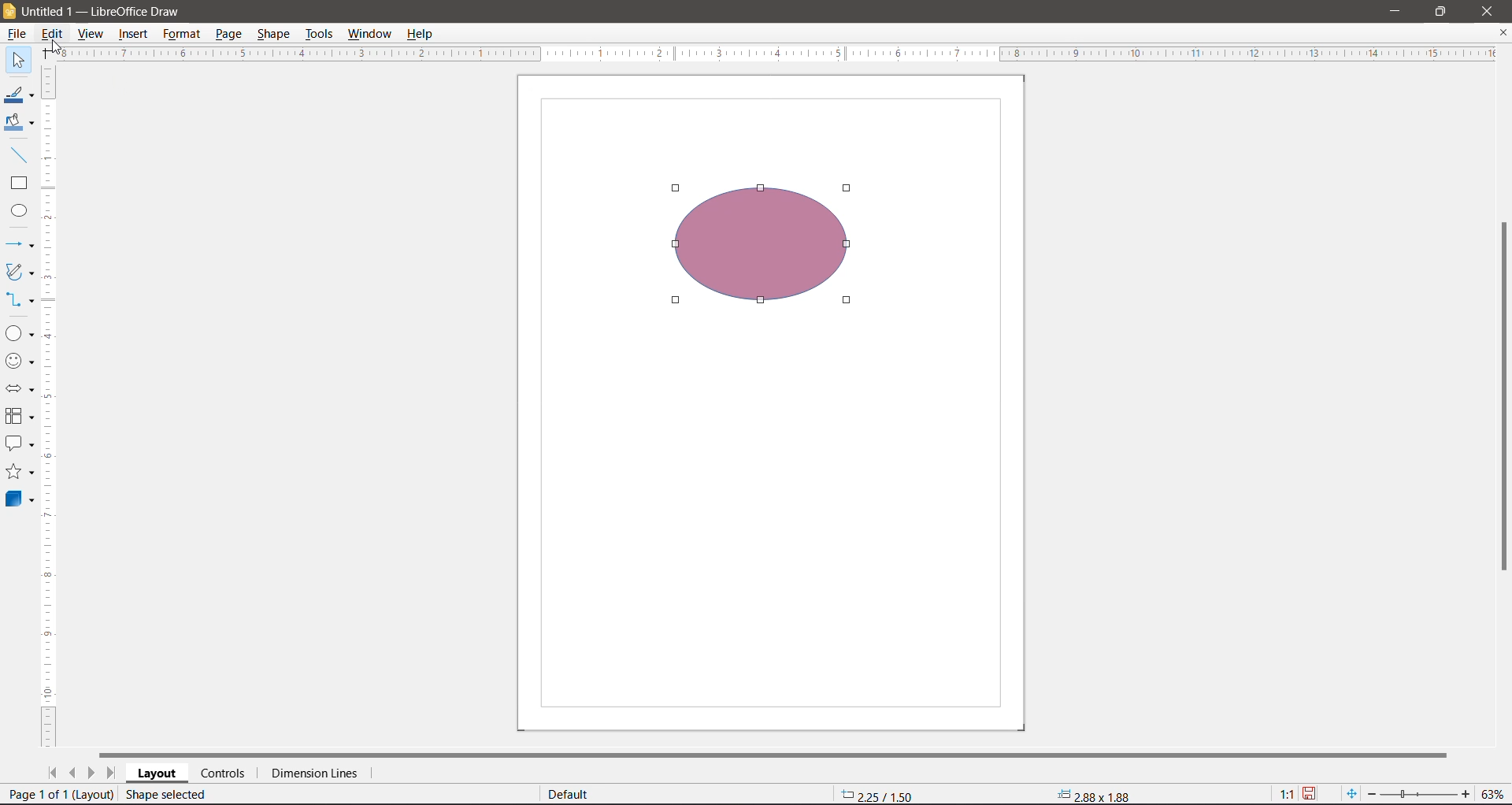  I want to click on Fill Color, so click(19, 124).